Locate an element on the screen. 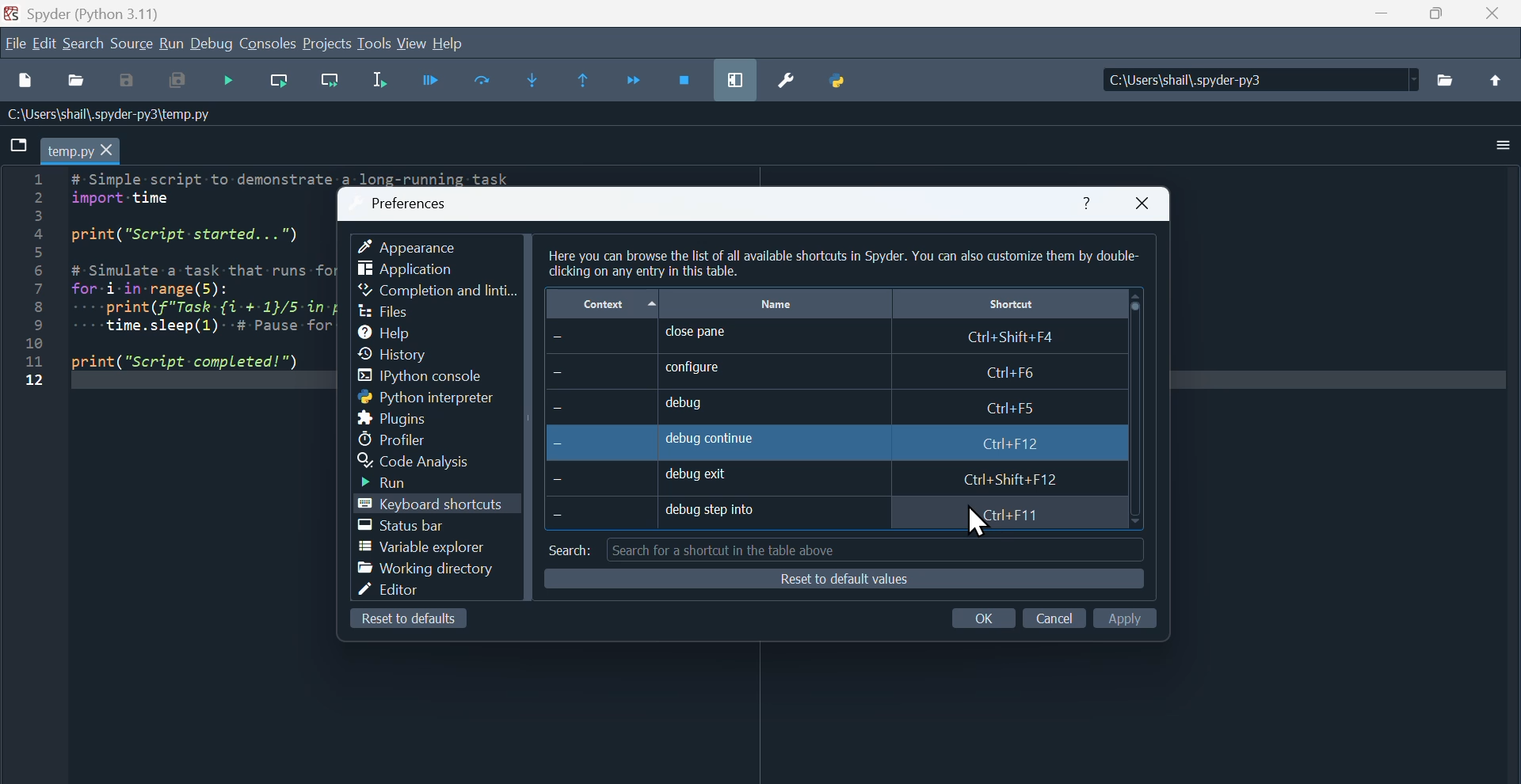 Image resolution: width=1521 pixels, height=784 pixels.  is located at coordinates (115, 116).